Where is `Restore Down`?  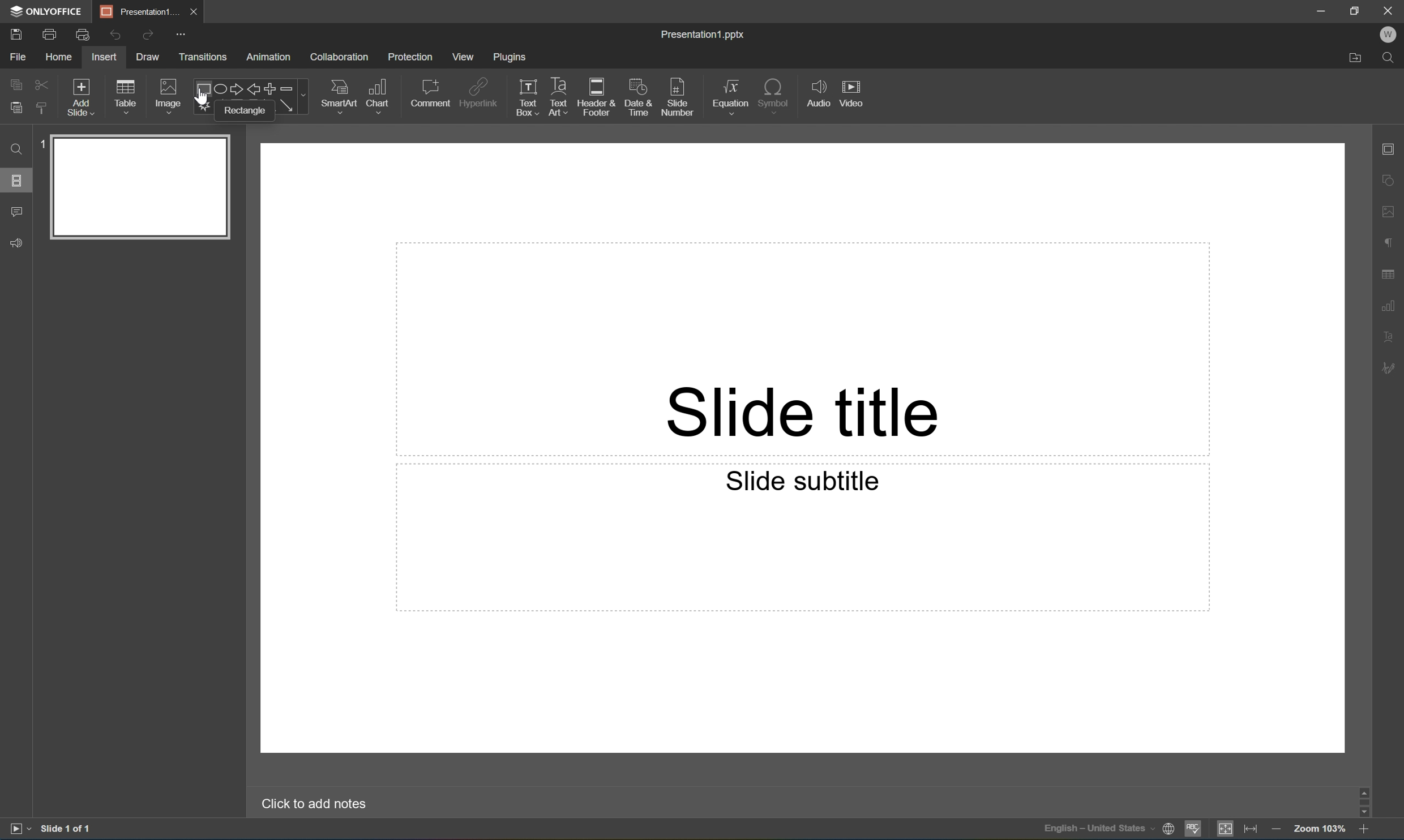 Restore Down is located at coordinates (1356, 8).